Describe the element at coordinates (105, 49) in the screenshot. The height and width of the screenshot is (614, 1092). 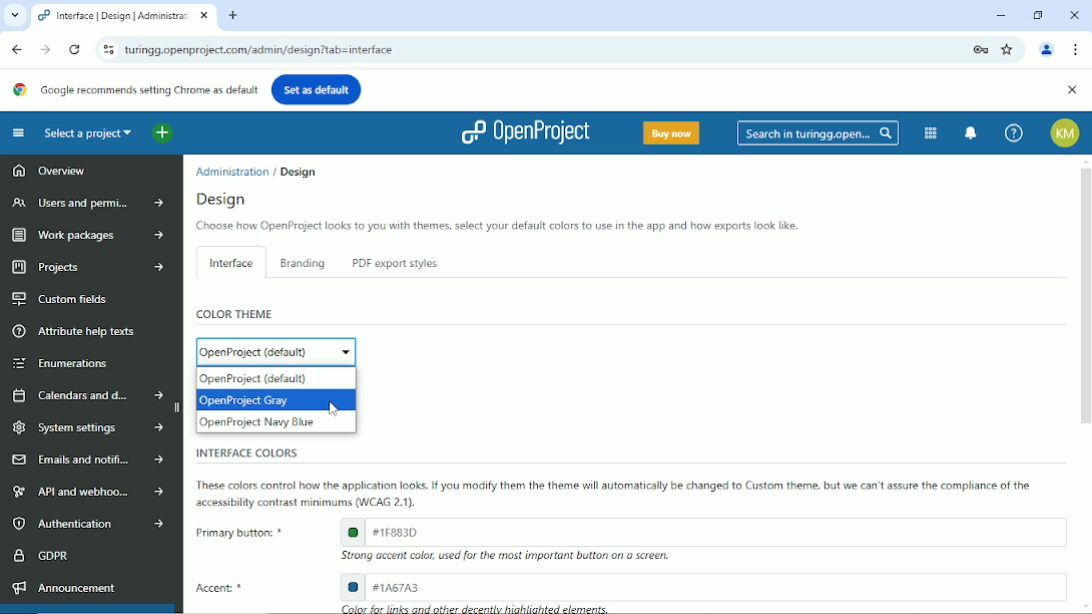
I see `View site information` at that location.